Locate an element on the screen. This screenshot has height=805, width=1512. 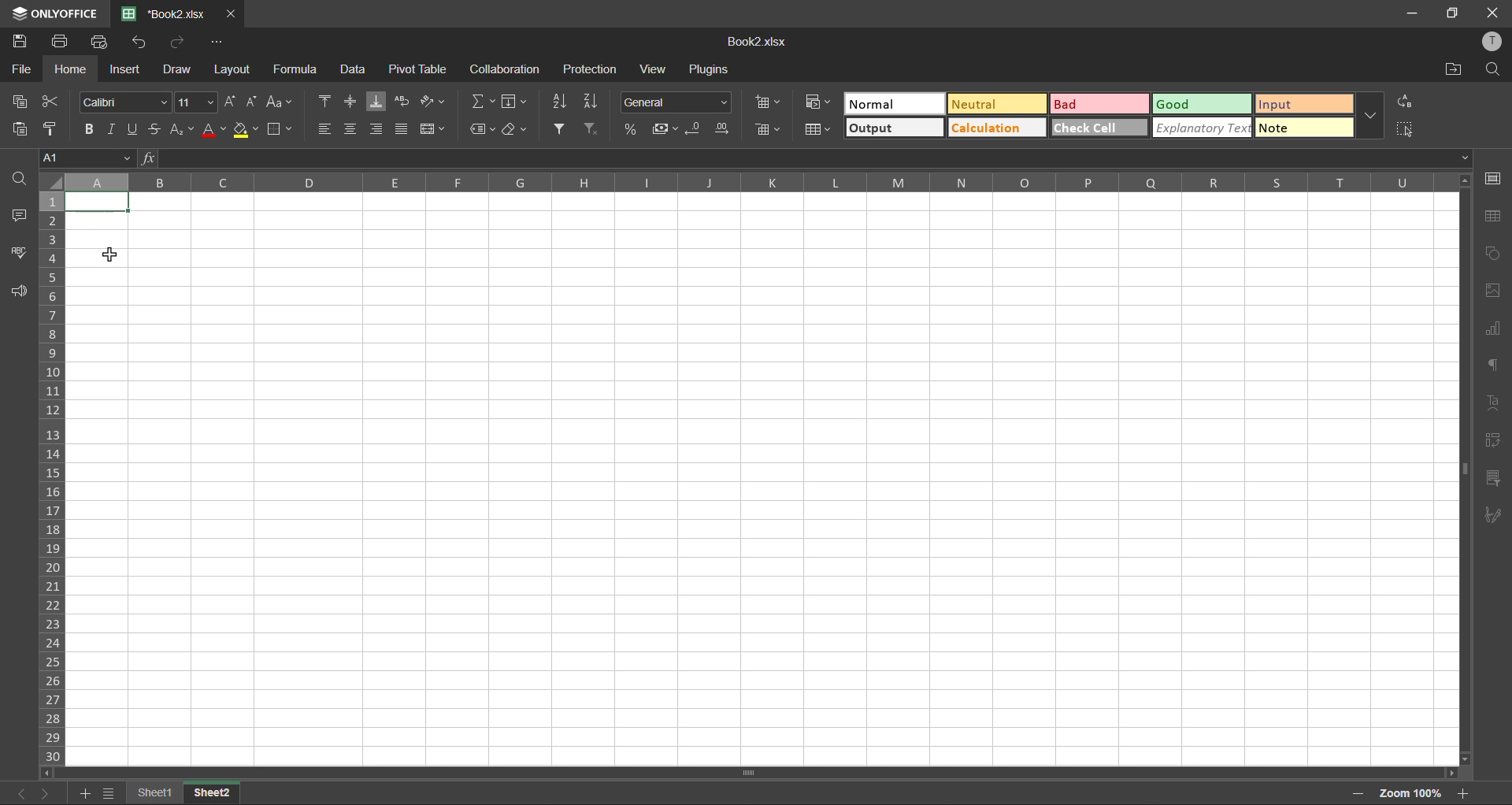
column names in alphabets is located at coordinates (744, 181).